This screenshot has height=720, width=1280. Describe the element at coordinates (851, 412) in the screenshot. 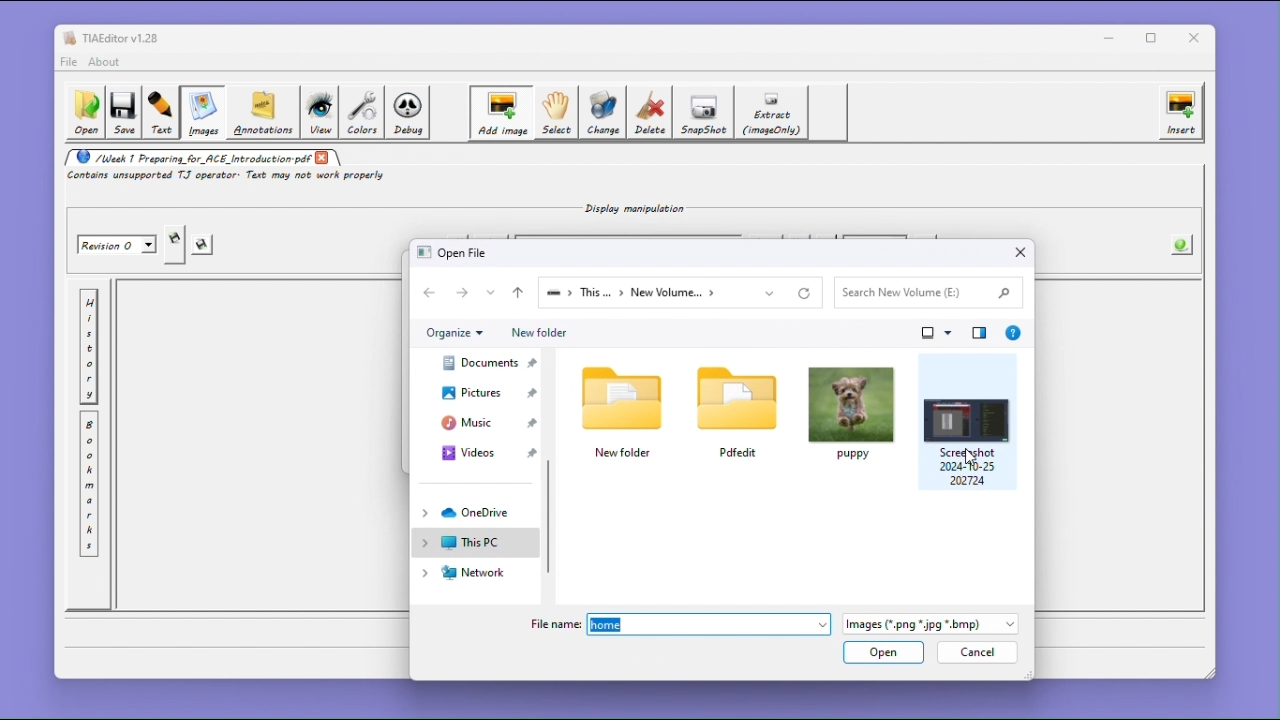

I see `puppy` at that location.